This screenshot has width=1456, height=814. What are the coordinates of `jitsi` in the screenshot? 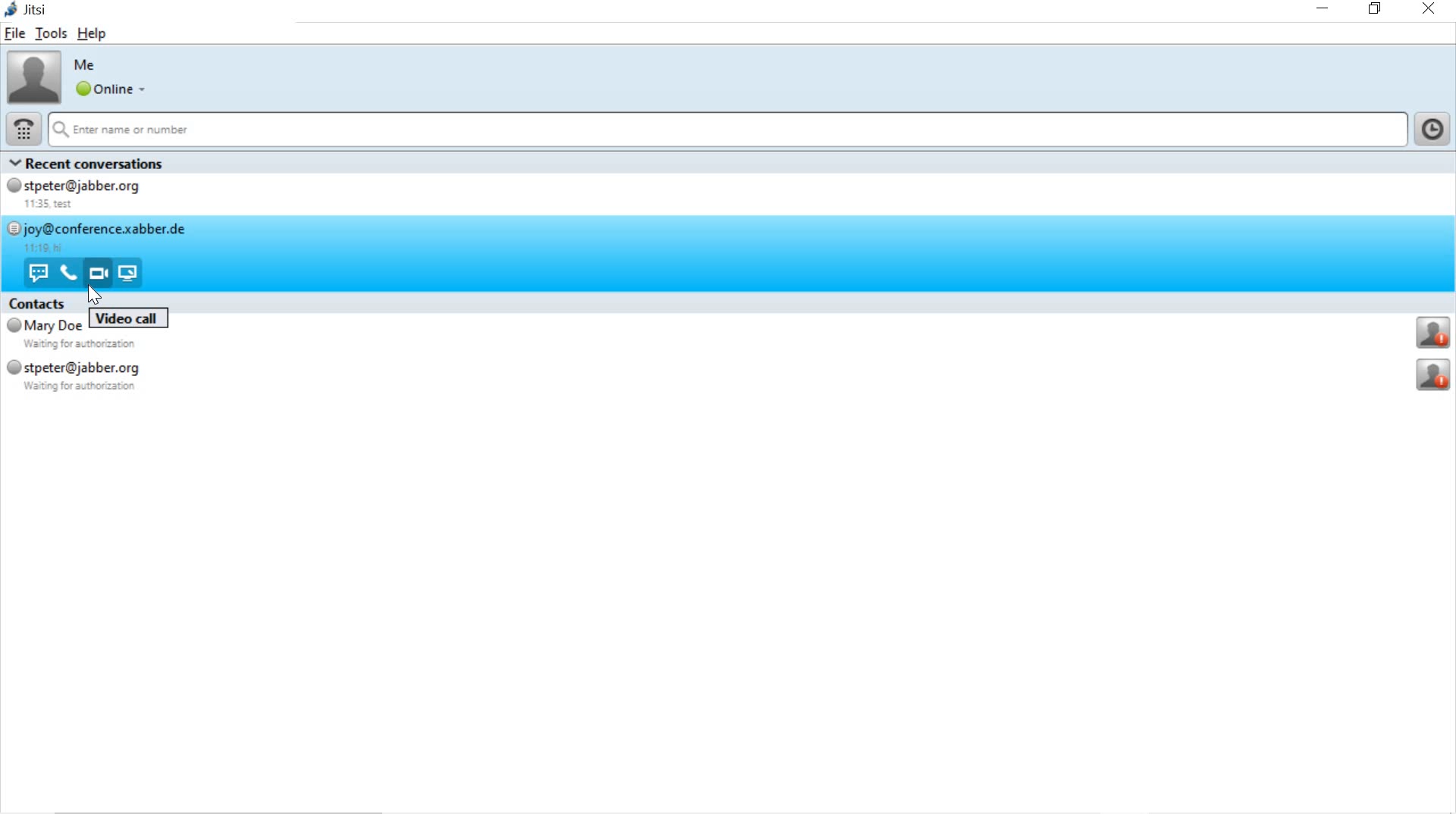 It's located at (30, 11).